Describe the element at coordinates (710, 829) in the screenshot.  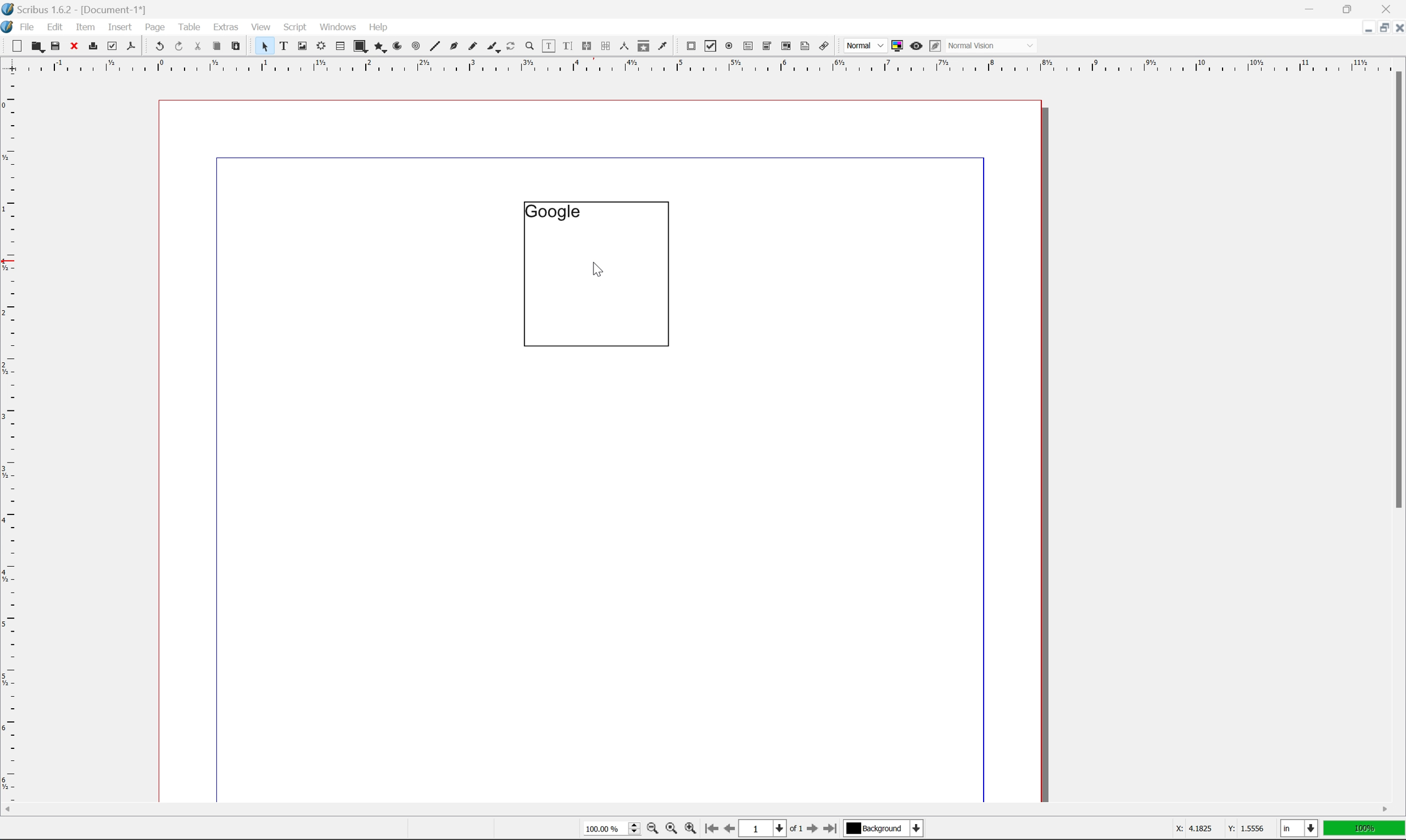
I see `go to first page` at that location.